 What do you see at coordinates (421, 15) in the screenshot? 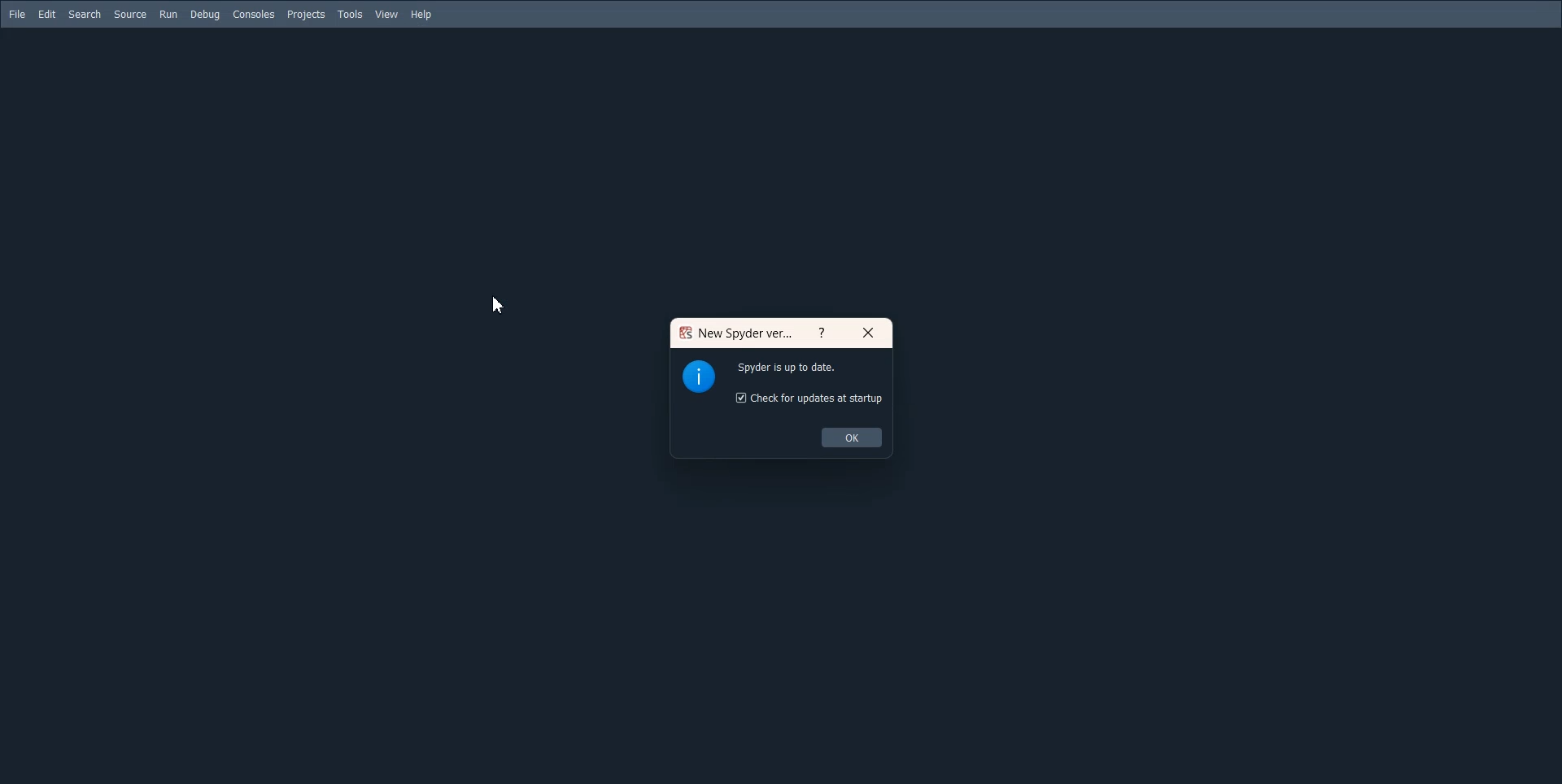
I see `Help` at bounding box center [421, 15].